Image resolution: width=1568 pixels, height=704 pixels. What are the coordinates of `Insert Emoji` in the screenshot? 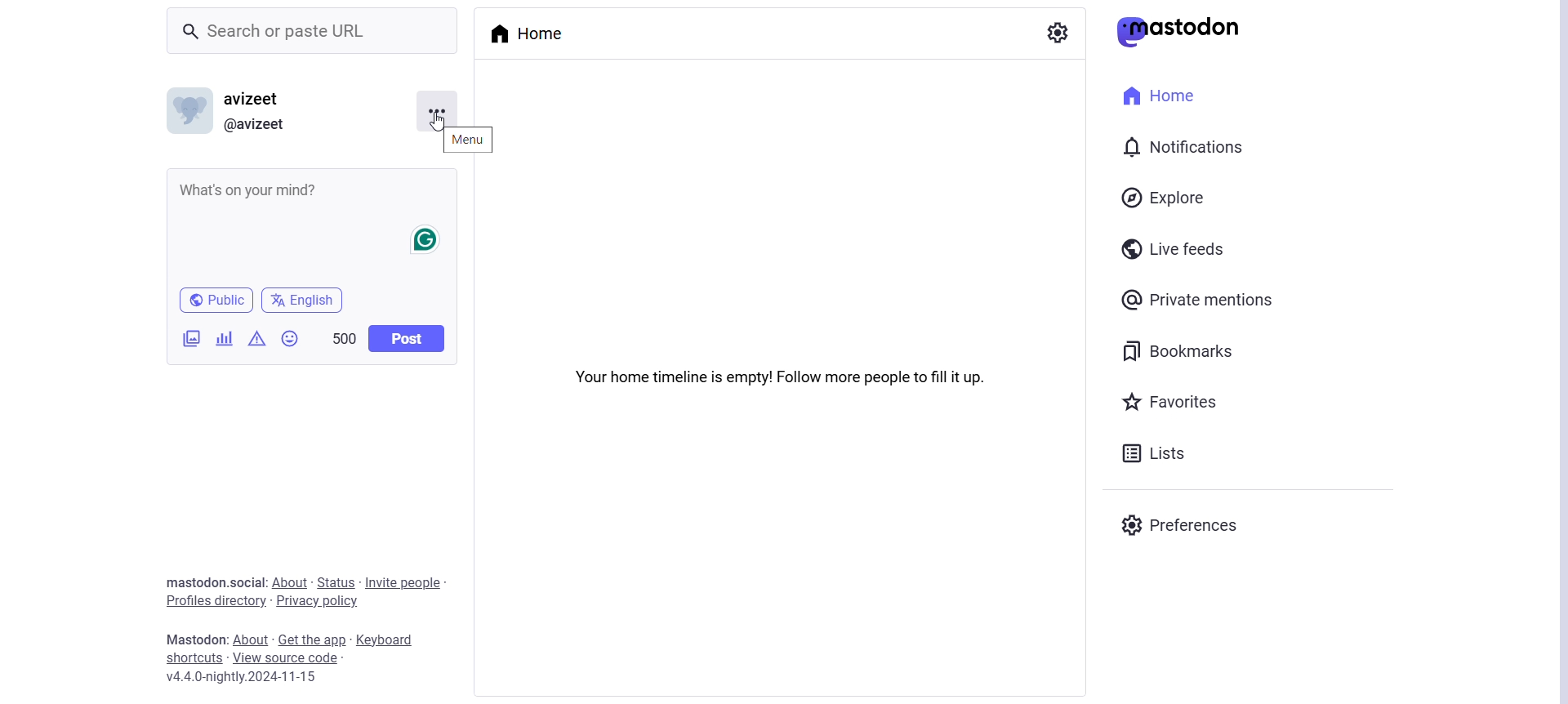 It's located at (289, 338).